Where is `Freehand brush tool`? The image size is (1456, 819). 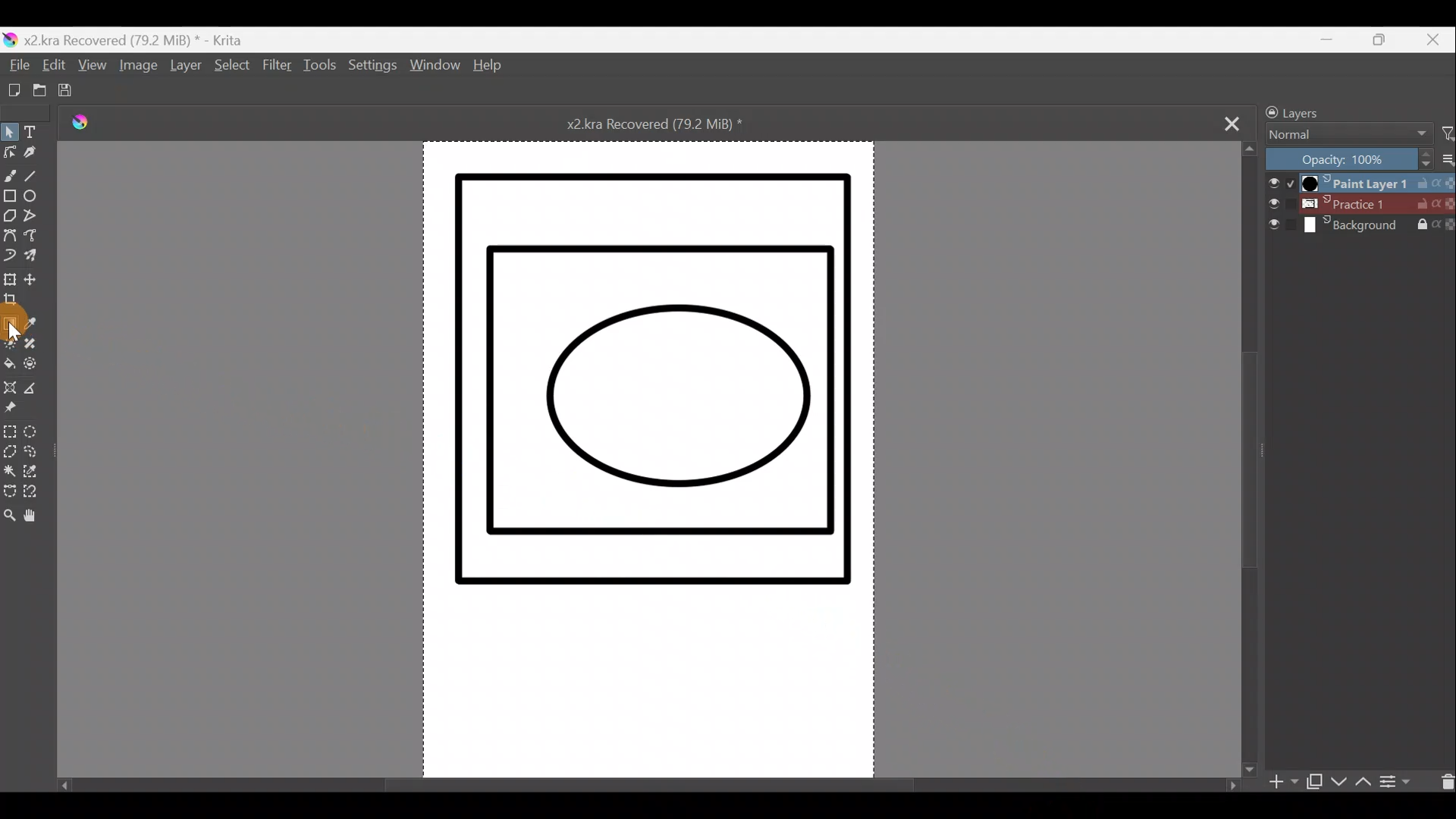
Freehand brush tool is located at coordinates (10, 175).